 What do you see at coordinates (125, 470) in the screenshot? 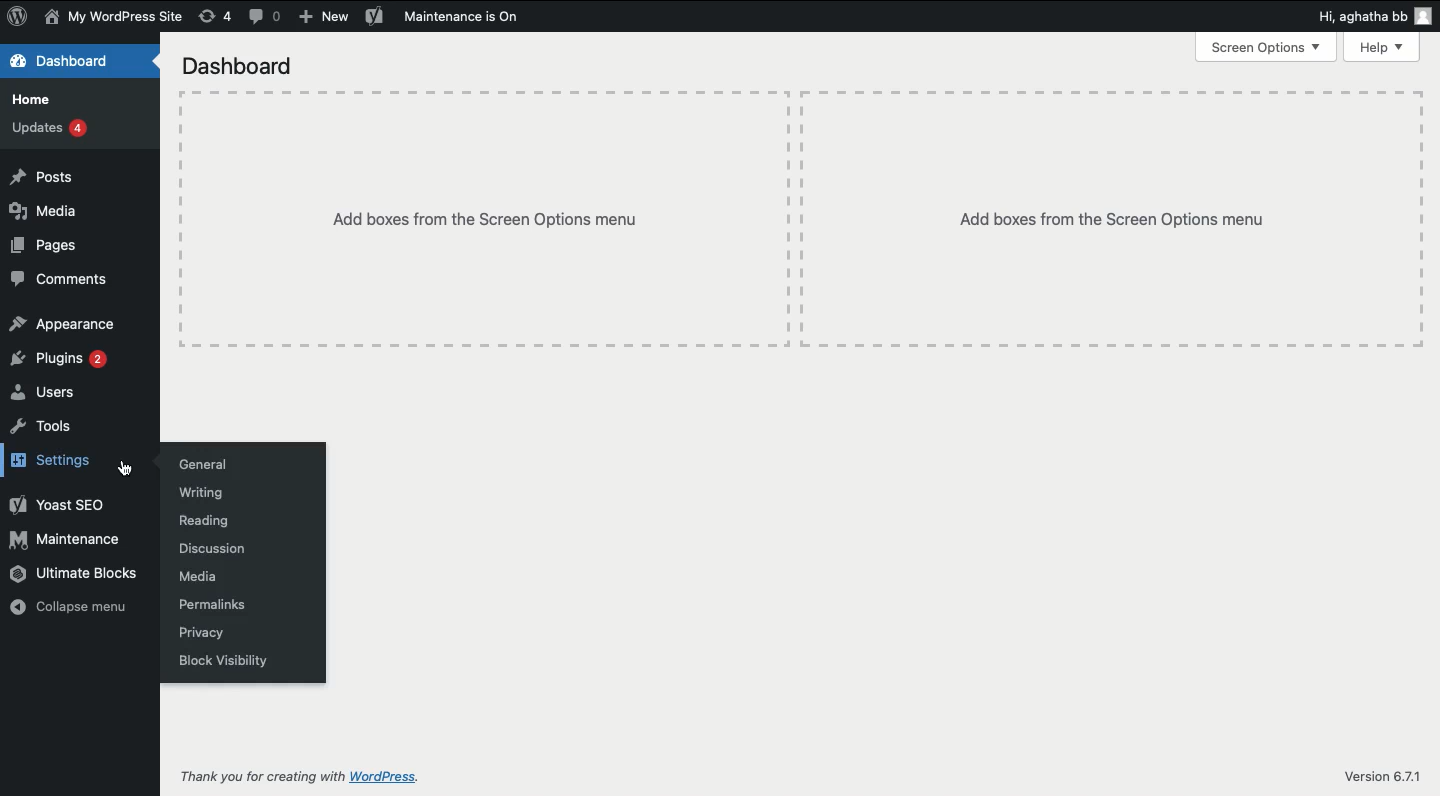
I see `cursor` at bounding box center [125, 470].